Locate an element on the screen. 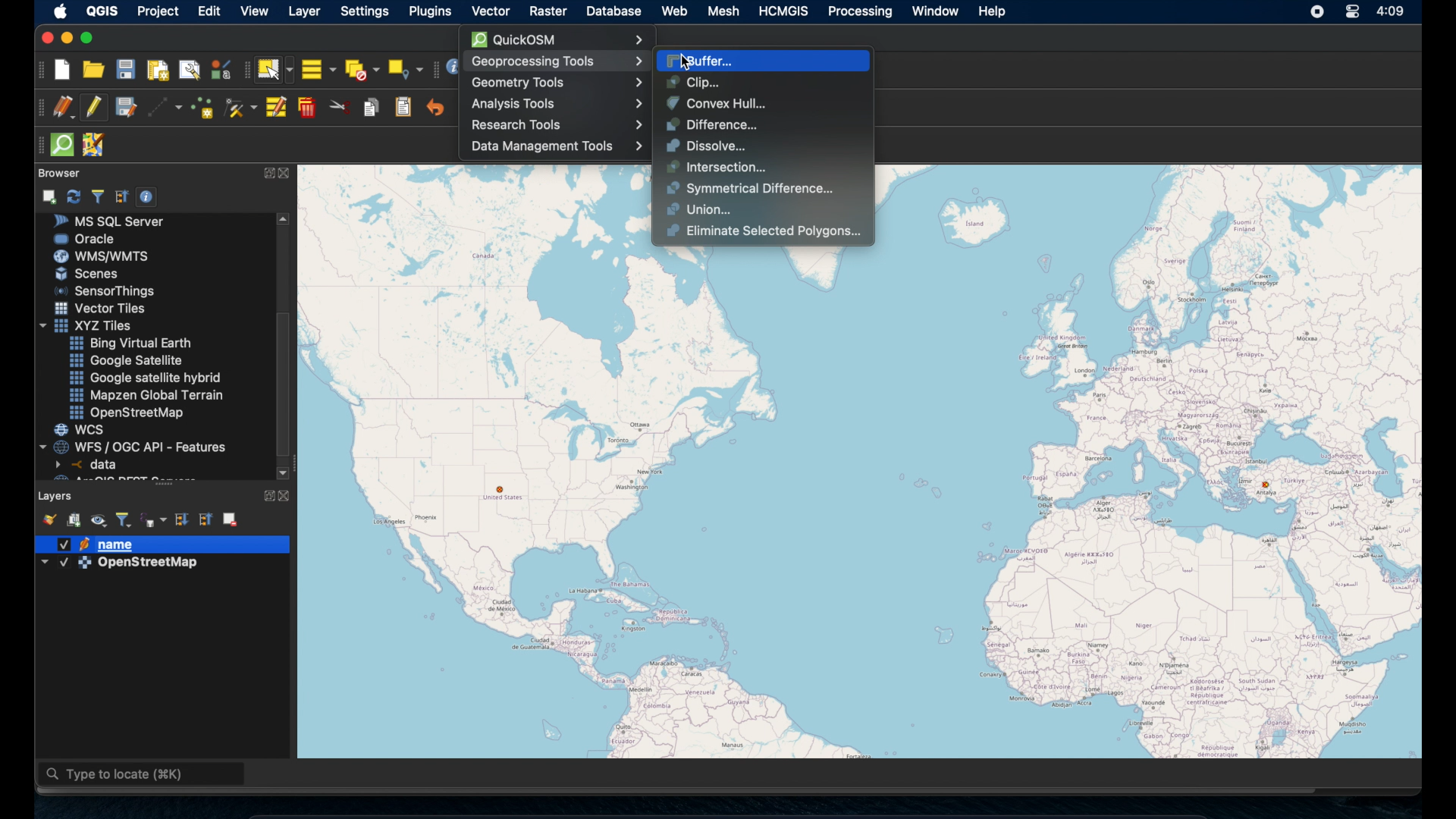  Difference... is located at coordinates (709, 124).